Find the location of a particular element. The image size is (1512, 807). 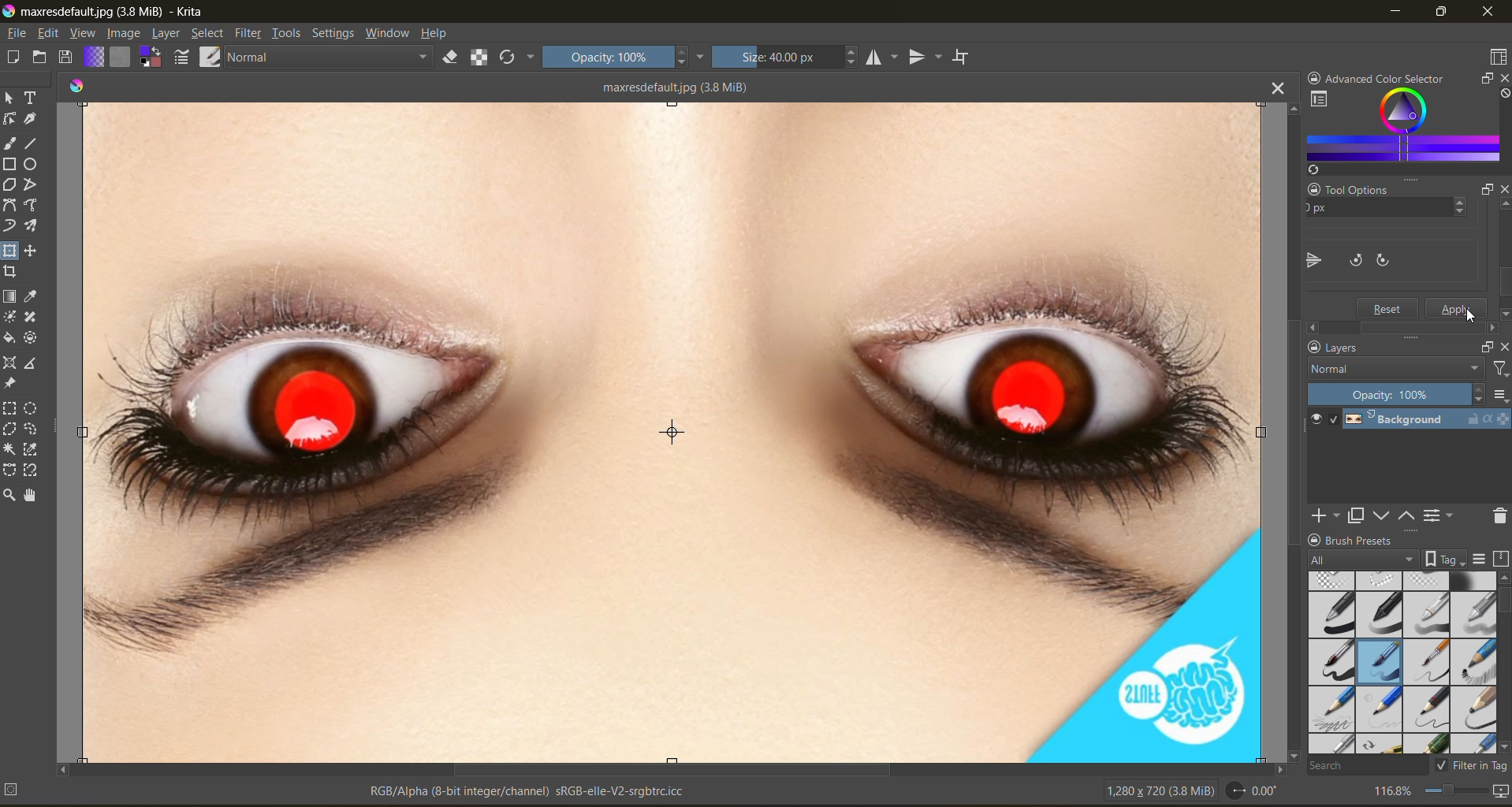

tool is located at coordinates (12, 364).